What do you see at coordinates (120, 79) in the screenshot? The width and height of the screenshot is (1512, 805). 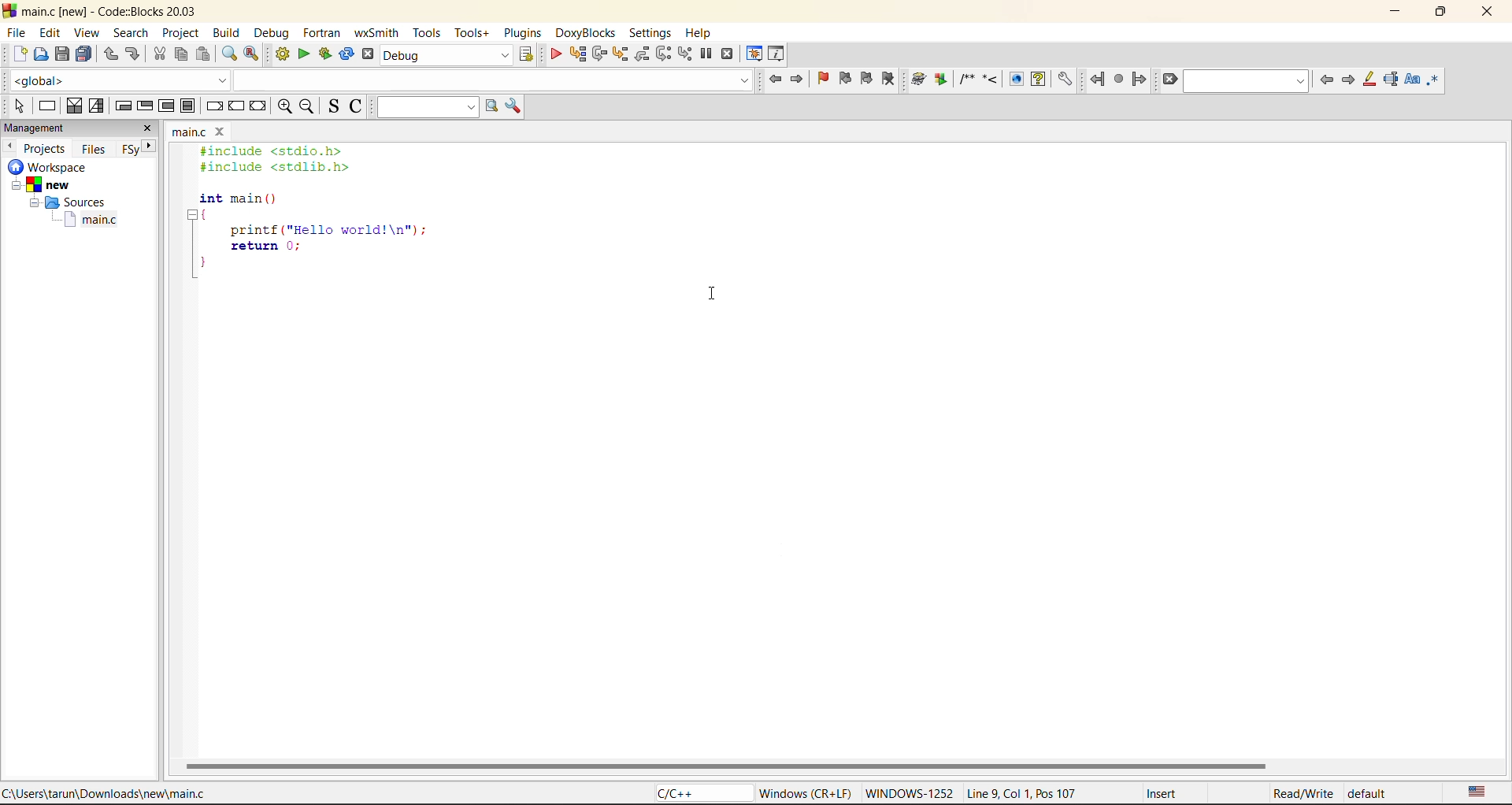 I see `<global>` at bounding box center [120, 79].